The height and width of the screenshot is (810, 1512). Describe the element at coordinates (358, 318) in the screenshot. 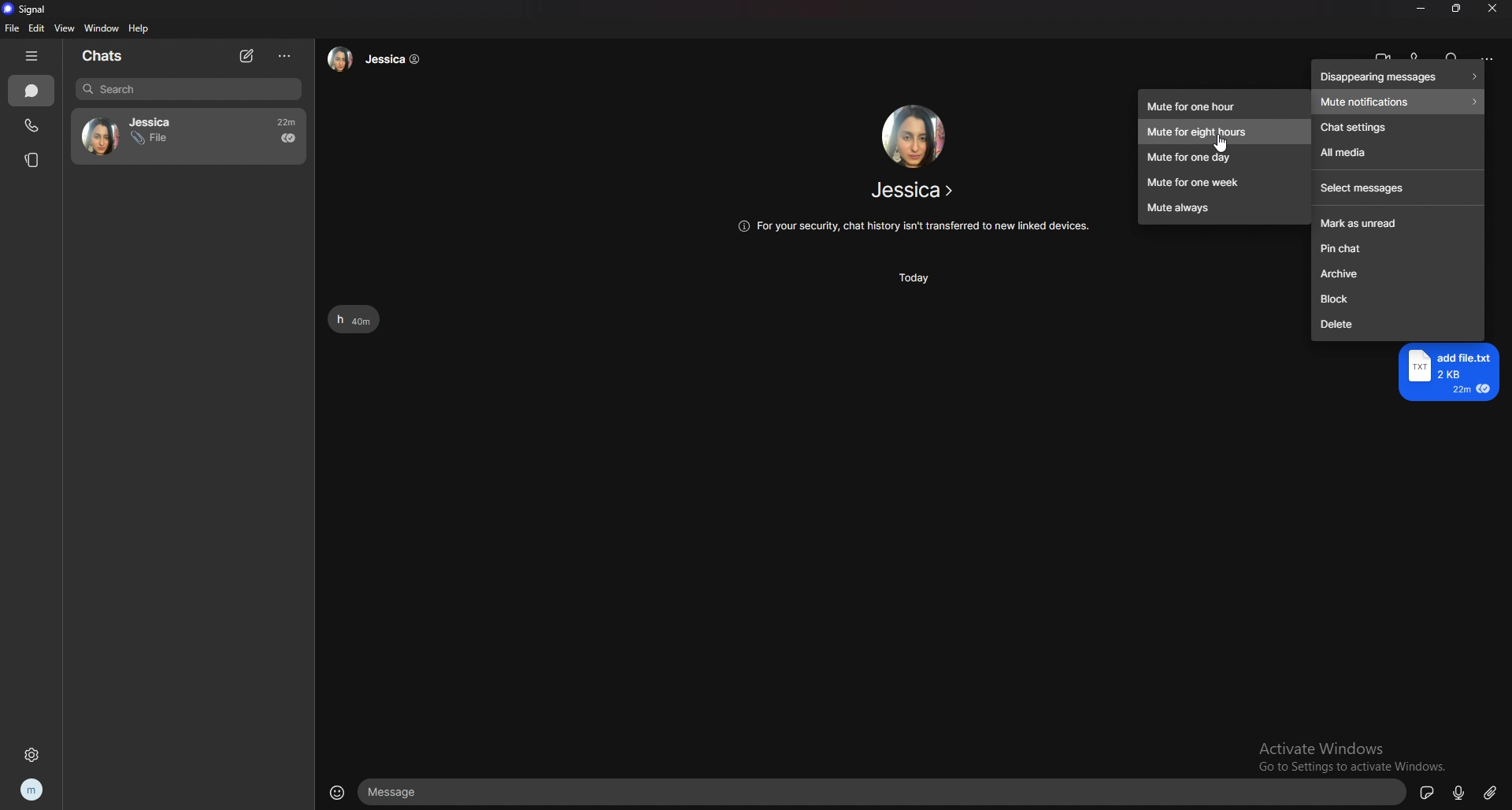

I see `h 40` at that location.